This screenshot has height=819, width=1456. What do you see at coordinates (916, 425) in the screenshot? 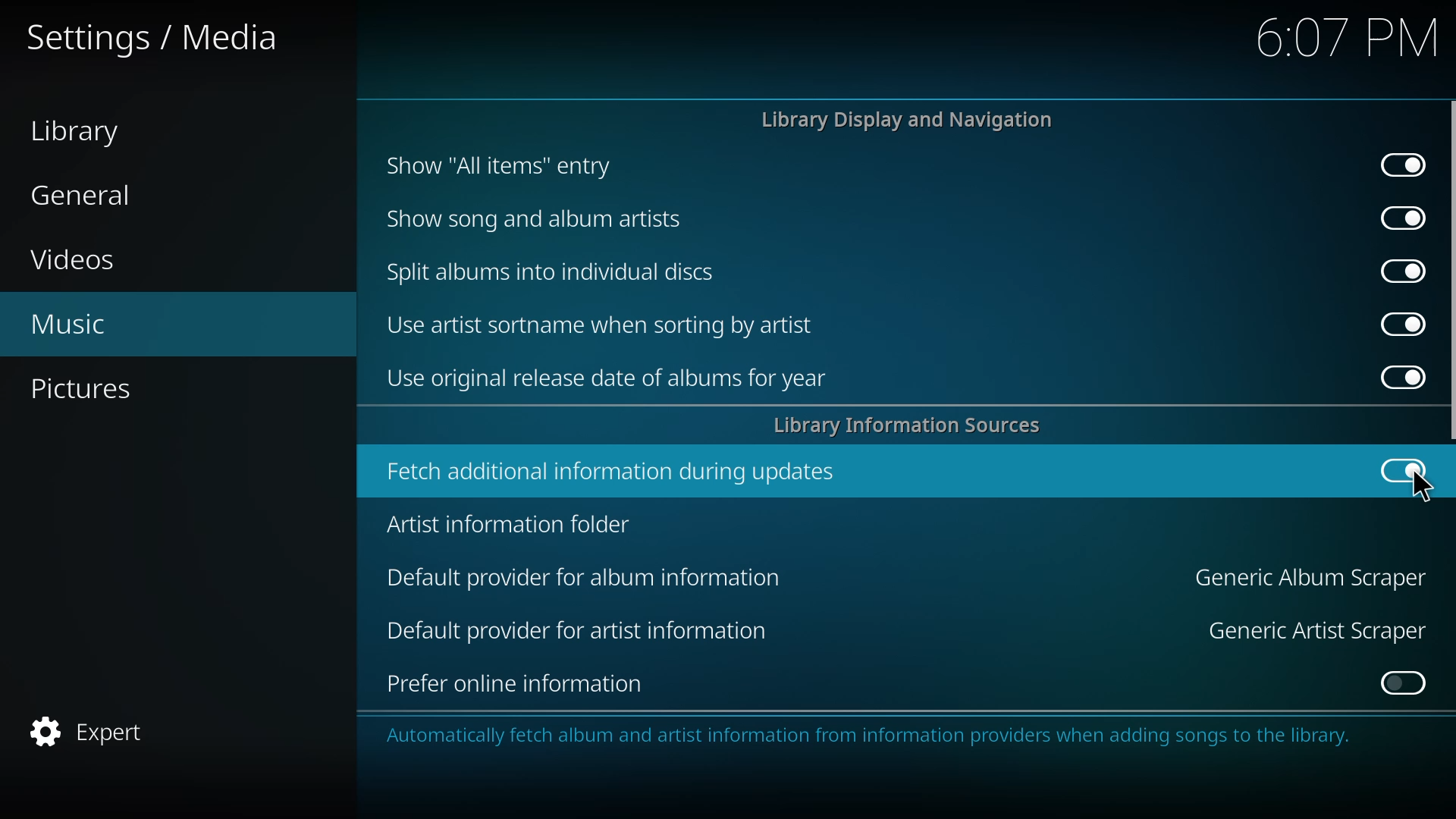
I see `library info source` at bounding box center [916, 425].